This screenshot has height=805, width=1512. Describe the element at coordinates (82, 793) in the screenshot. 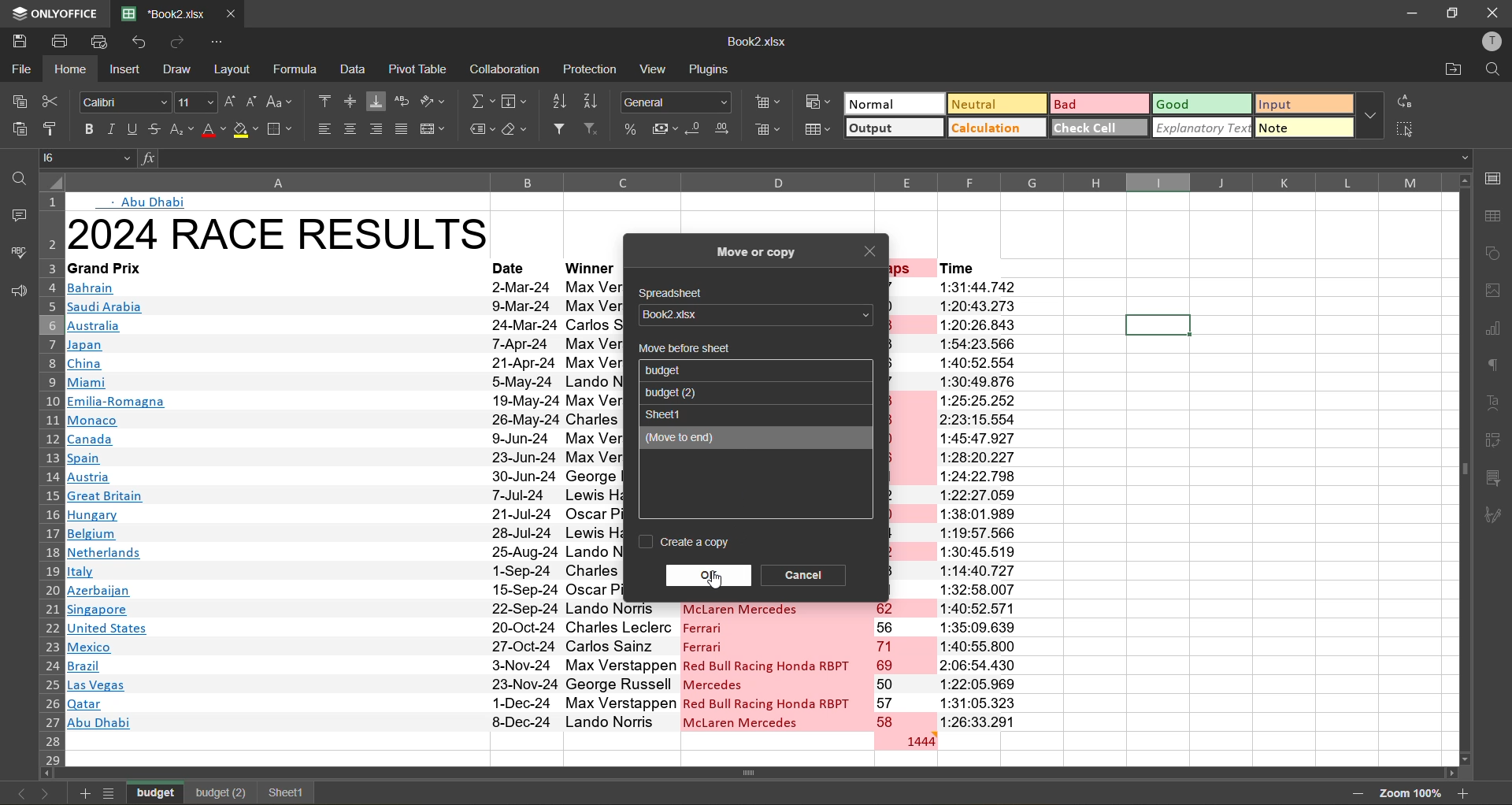

I see `add sheet` at that location.